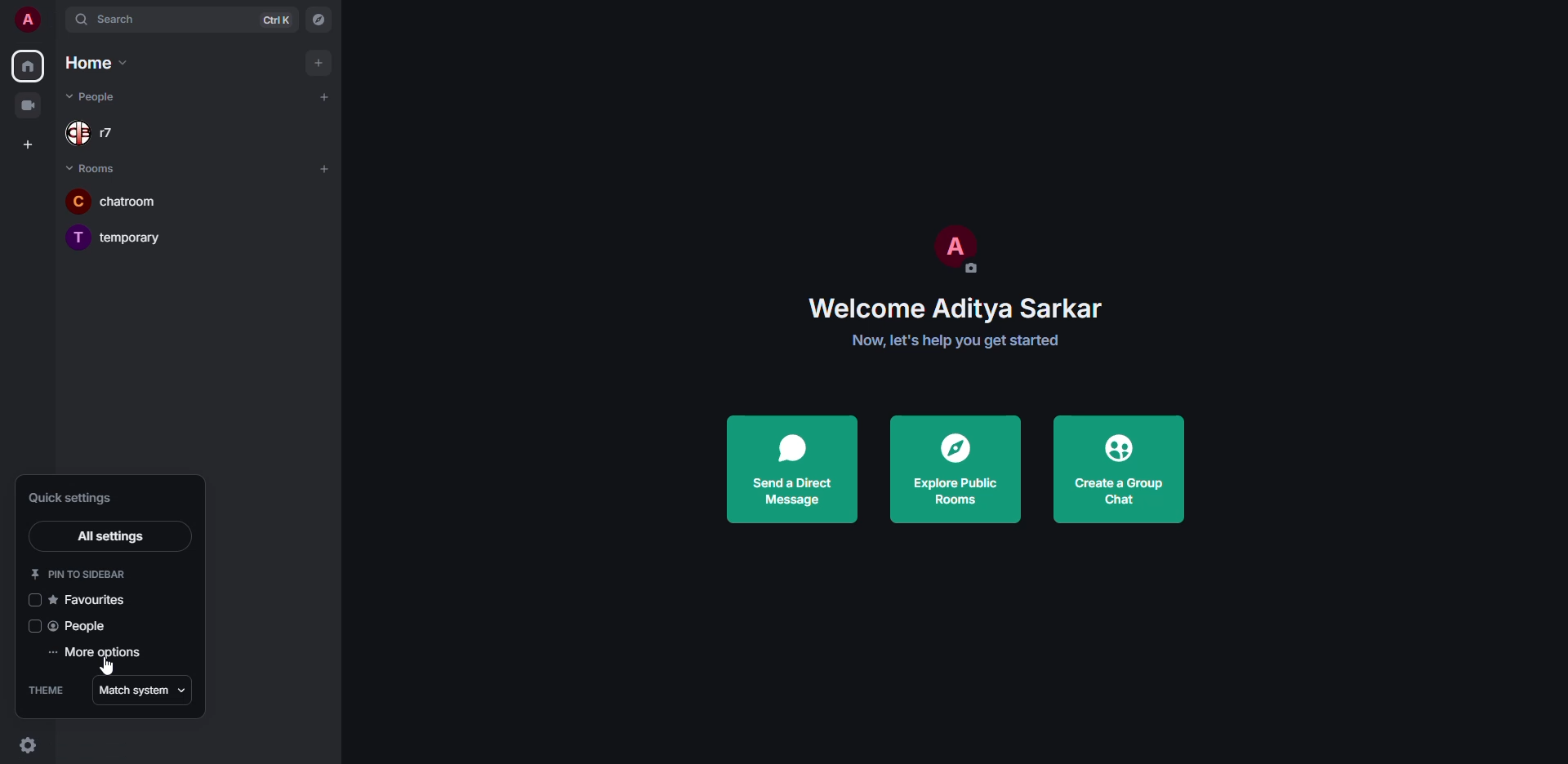 The image size is (1568, 764). What do you see at coordinates (95, 167) in the screenshot?
I see `rooms` at bounding box center [95, 167].